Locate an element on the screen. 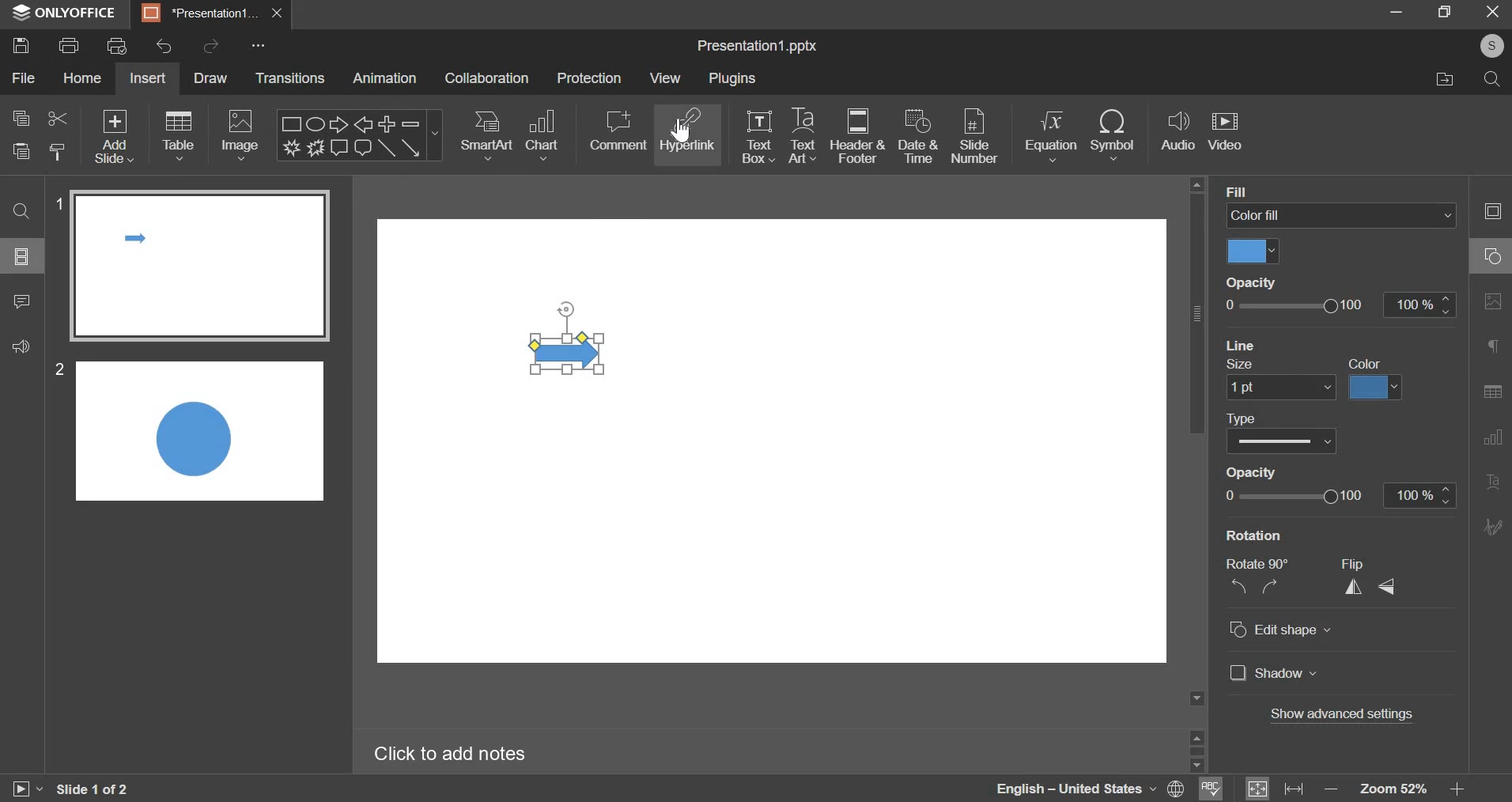  print preview is located at coordinates (117, 44).